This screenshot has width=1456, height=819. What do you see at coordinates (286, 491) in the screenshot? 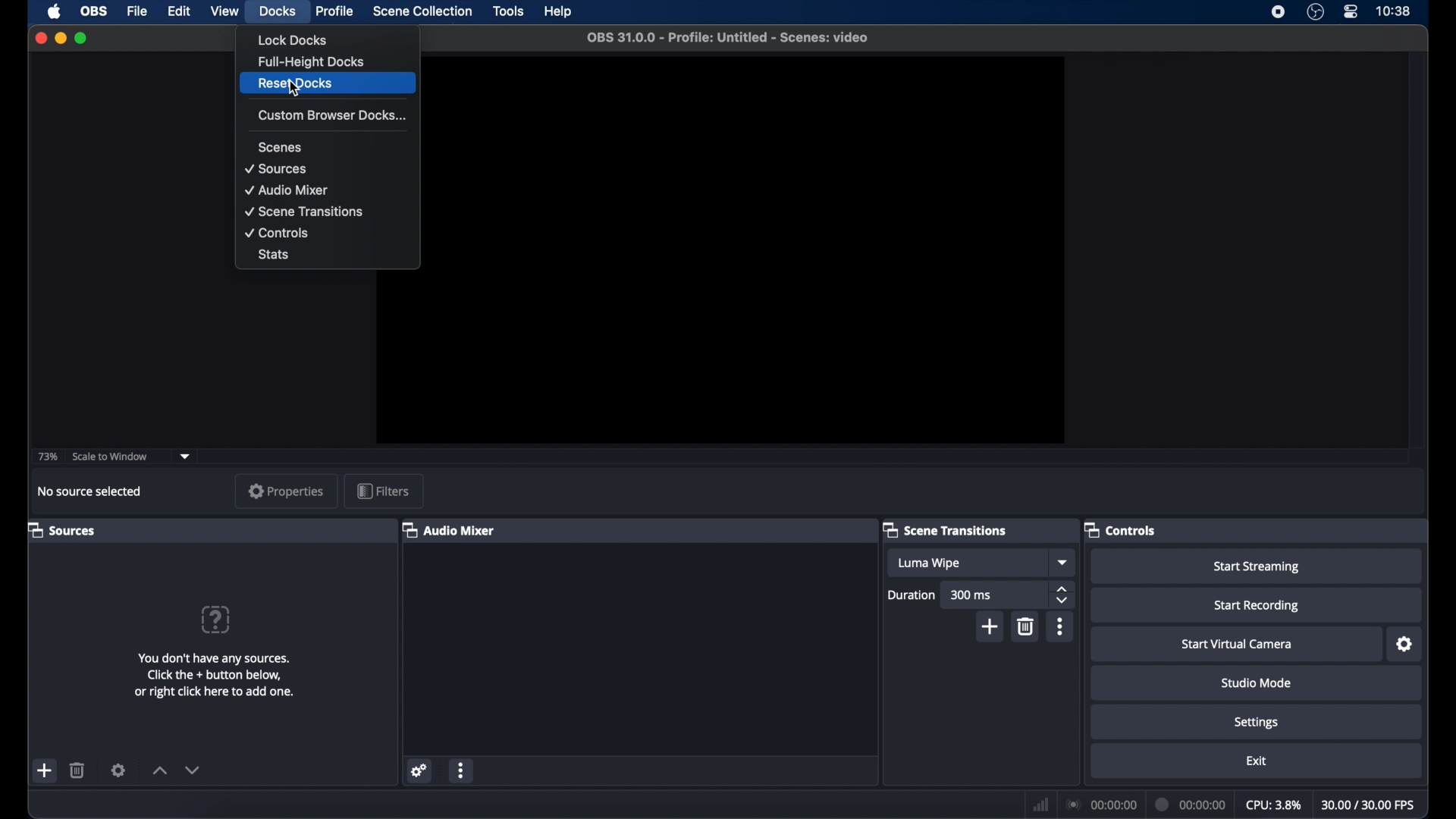
I see `properties` at bounding box center [286, 491].